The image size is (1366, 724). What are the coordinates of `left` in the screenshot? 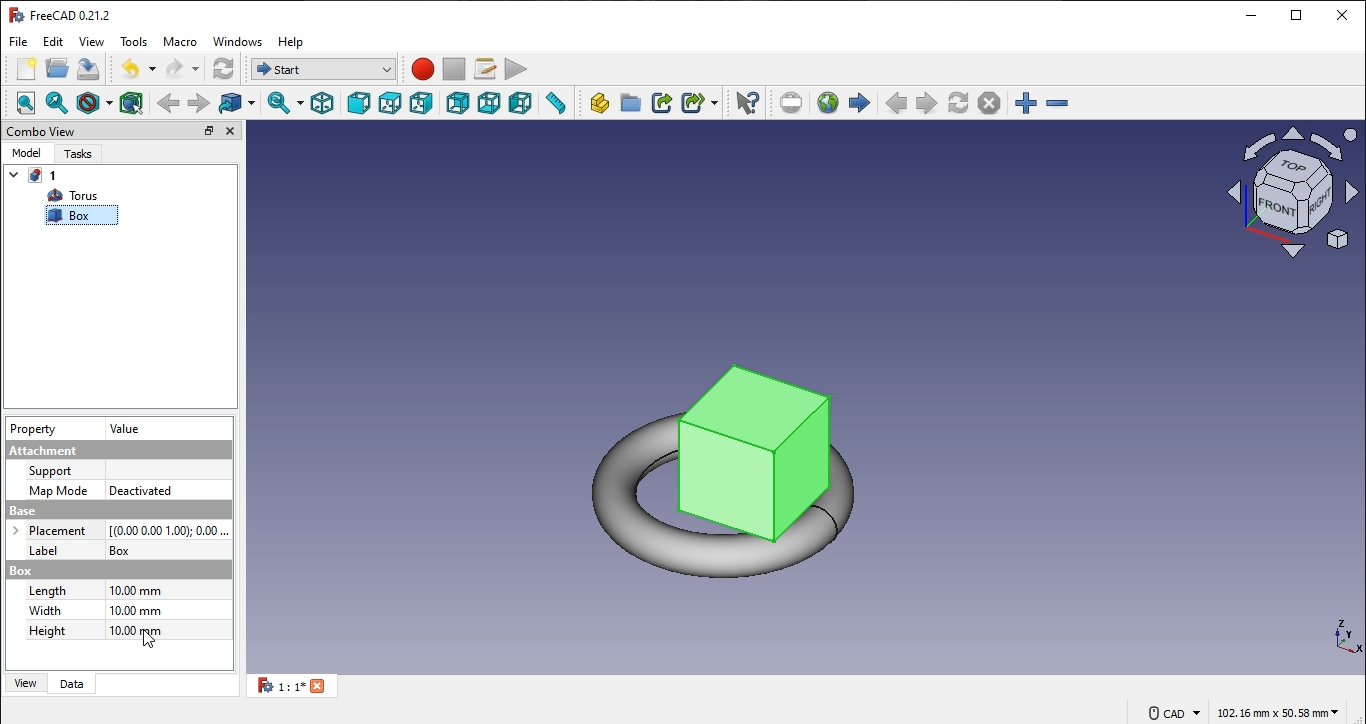 It's located at (521, 103).